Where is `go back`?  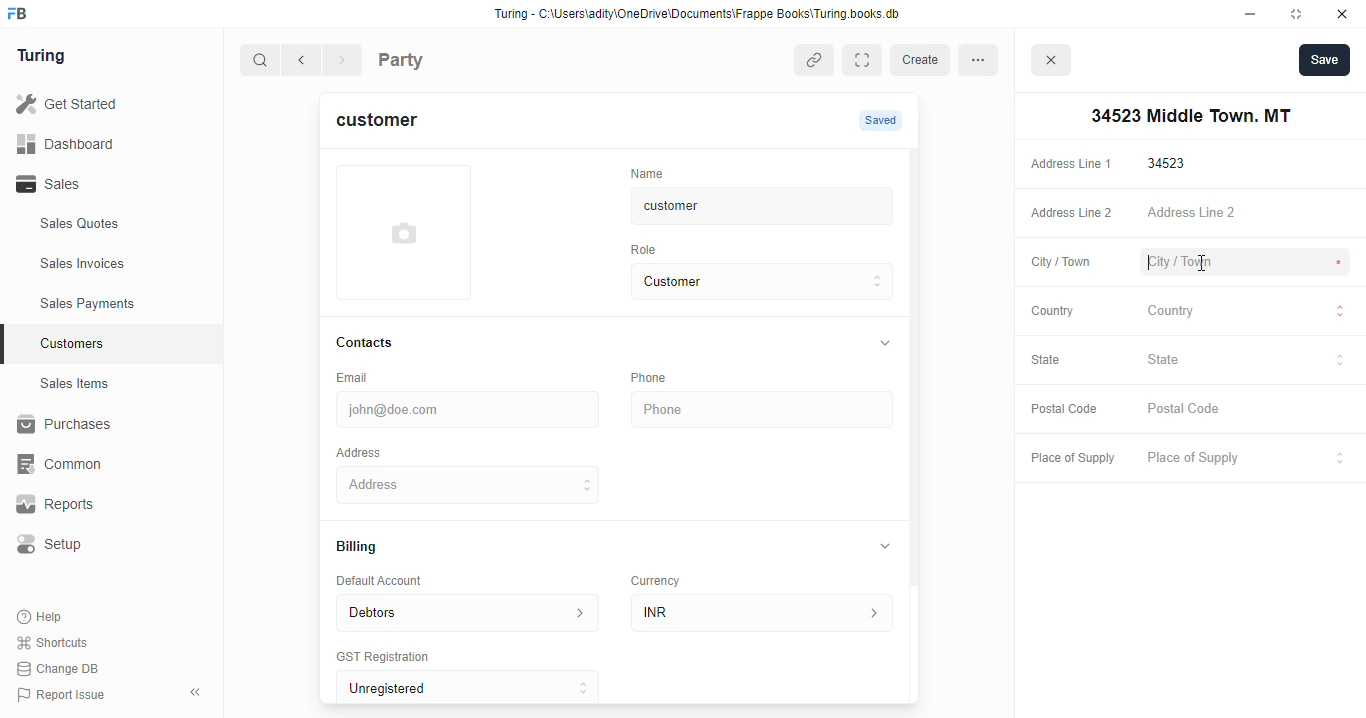
go back is located at coordinates (305, 61).